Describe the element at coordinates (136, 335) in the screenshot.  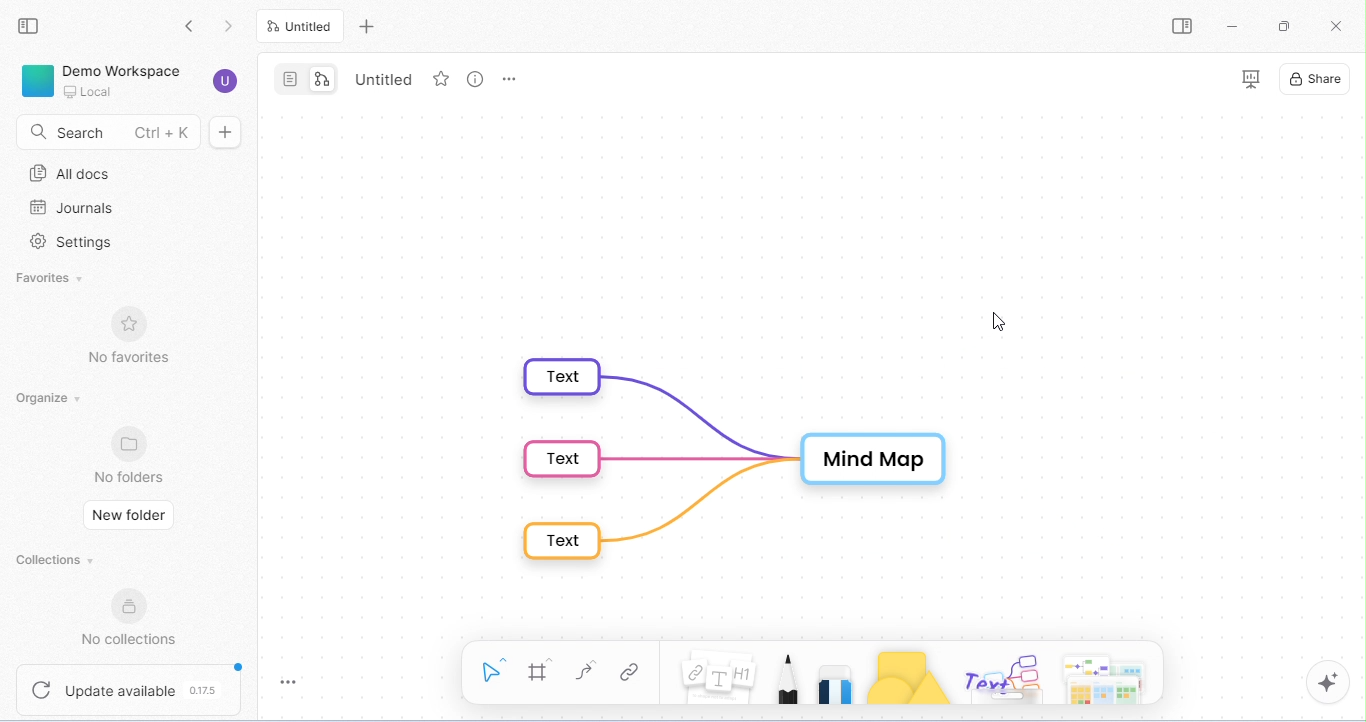
I see `no favorites` at that location.